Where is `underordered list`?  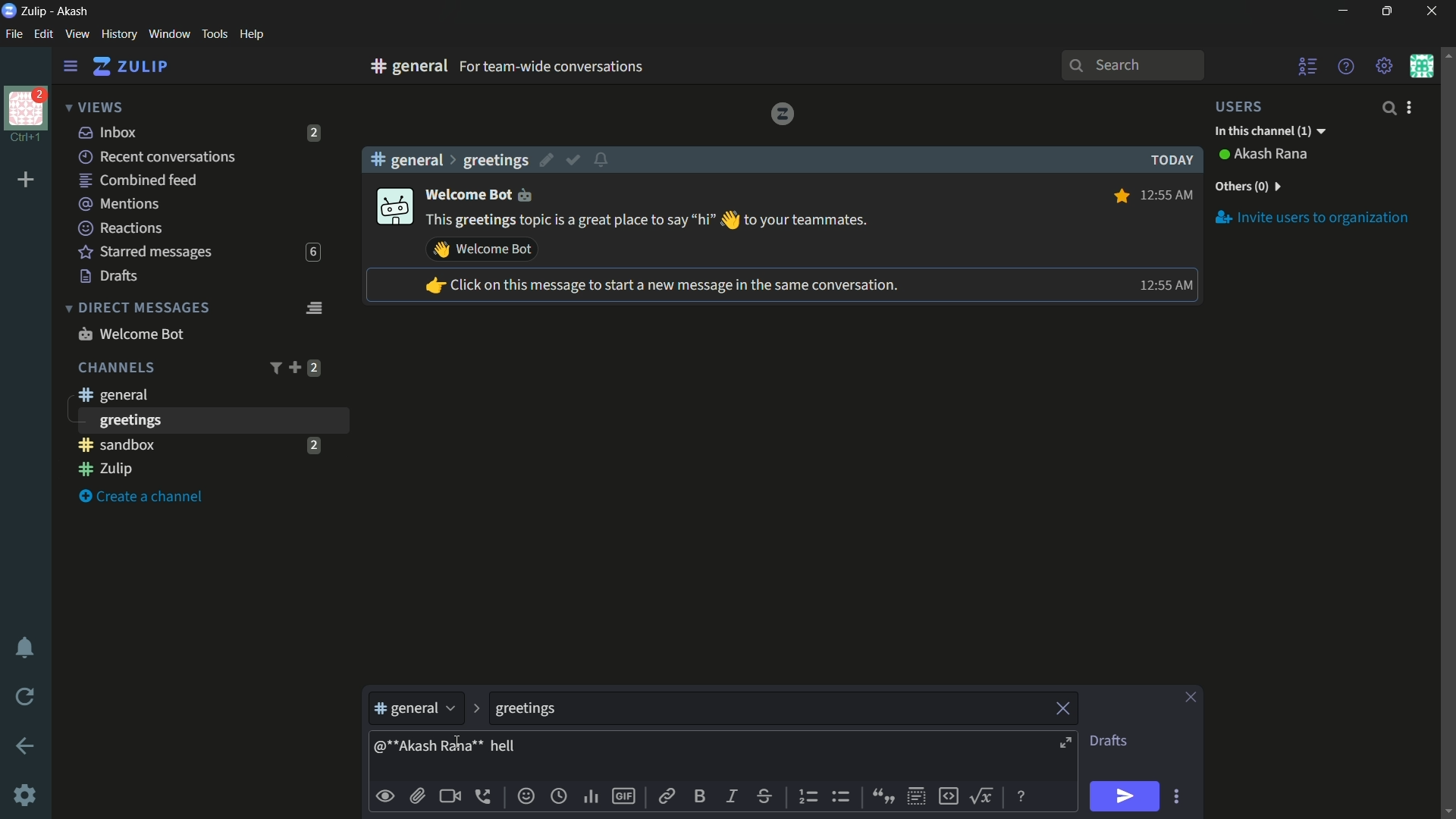
underordered list is located at coordinates (840, 795).